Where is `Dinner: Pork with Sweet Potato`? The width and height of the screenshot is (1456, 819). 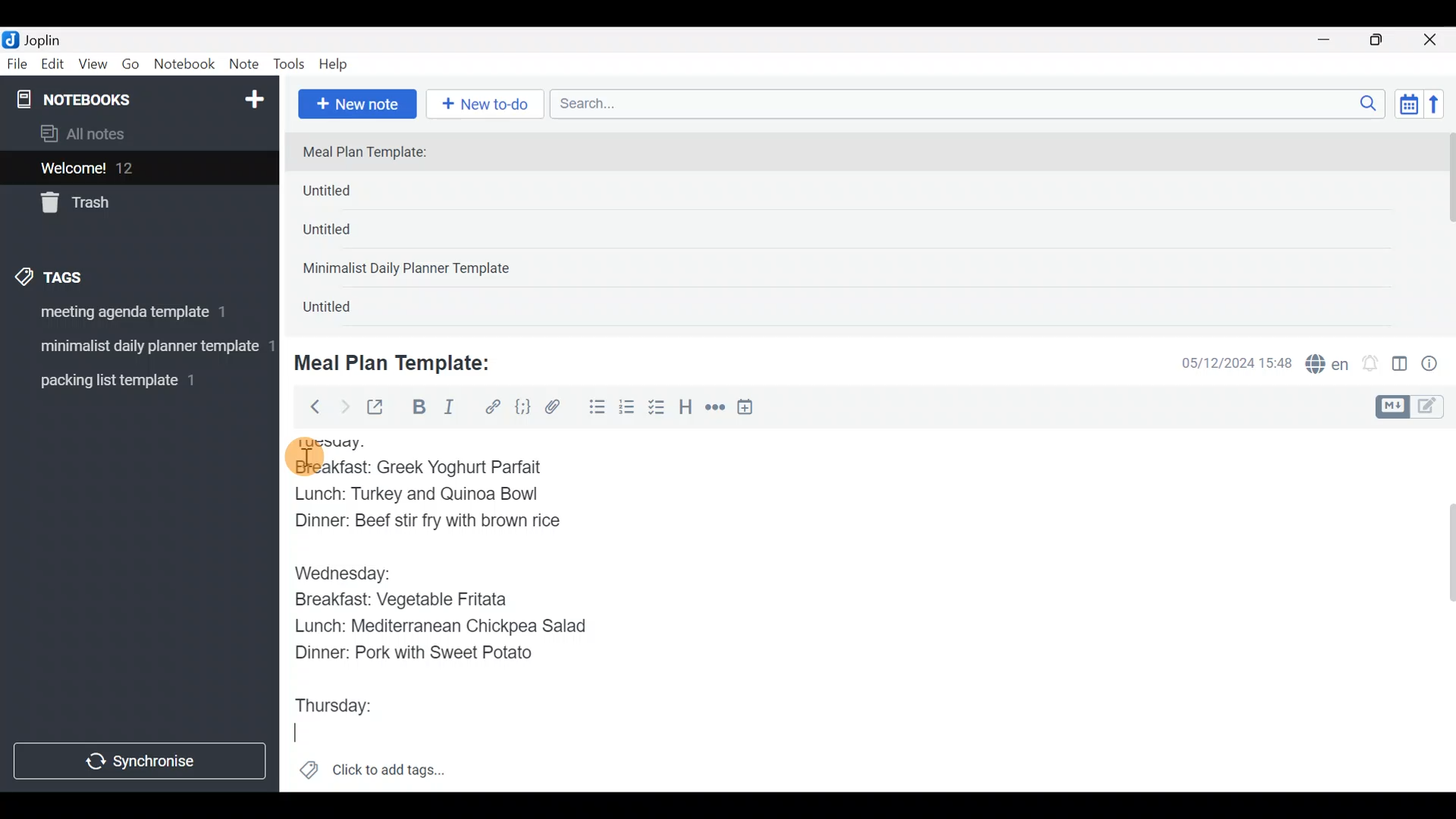 Dinner: Pork with Sweet Potato is located at coordinates (431, 654).